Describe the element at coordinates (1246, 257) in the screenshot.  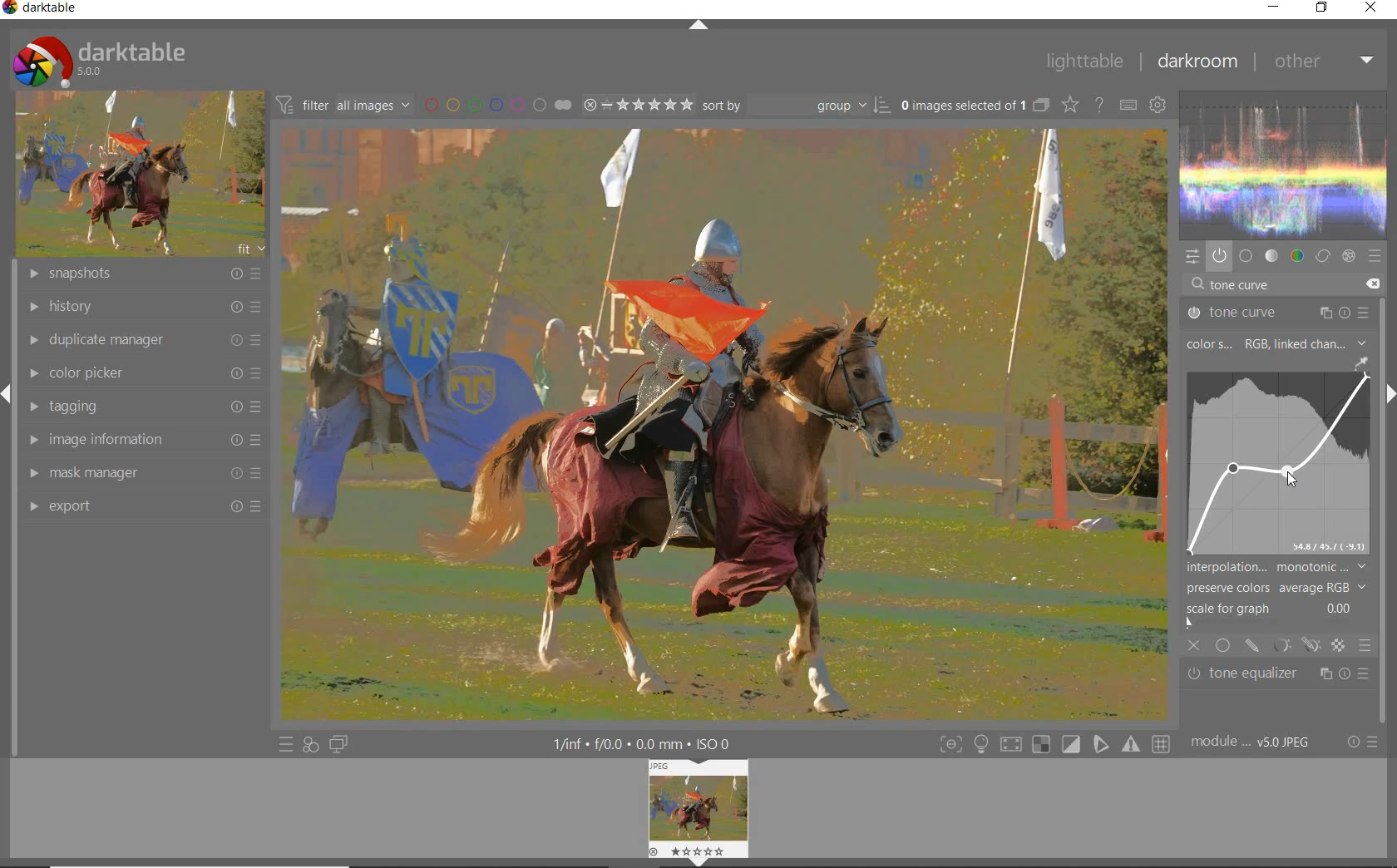
I see `base` at that location.